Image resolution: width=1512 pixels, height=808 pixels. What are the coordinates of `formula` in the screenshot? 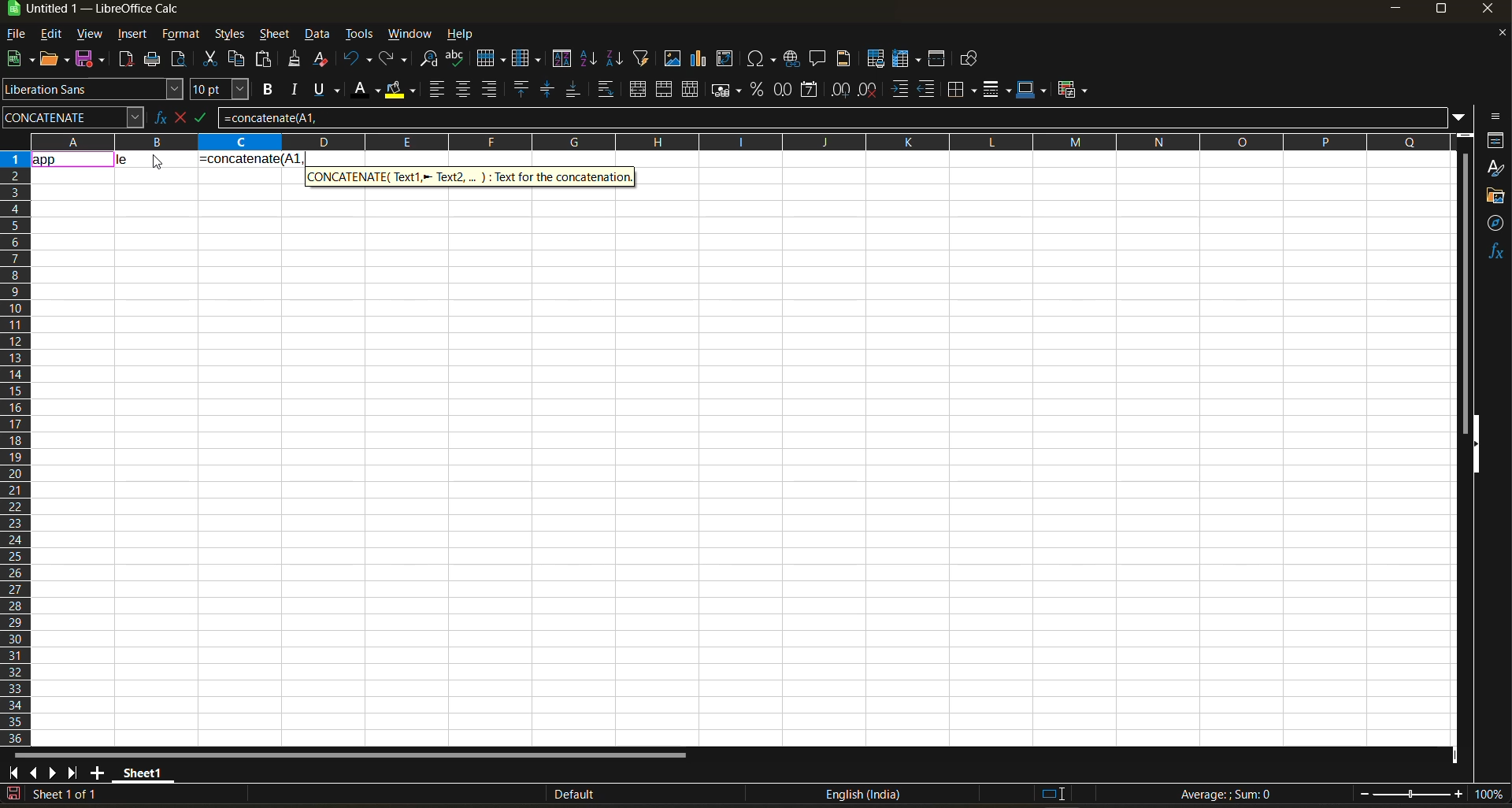 It's located at (1231, 796).